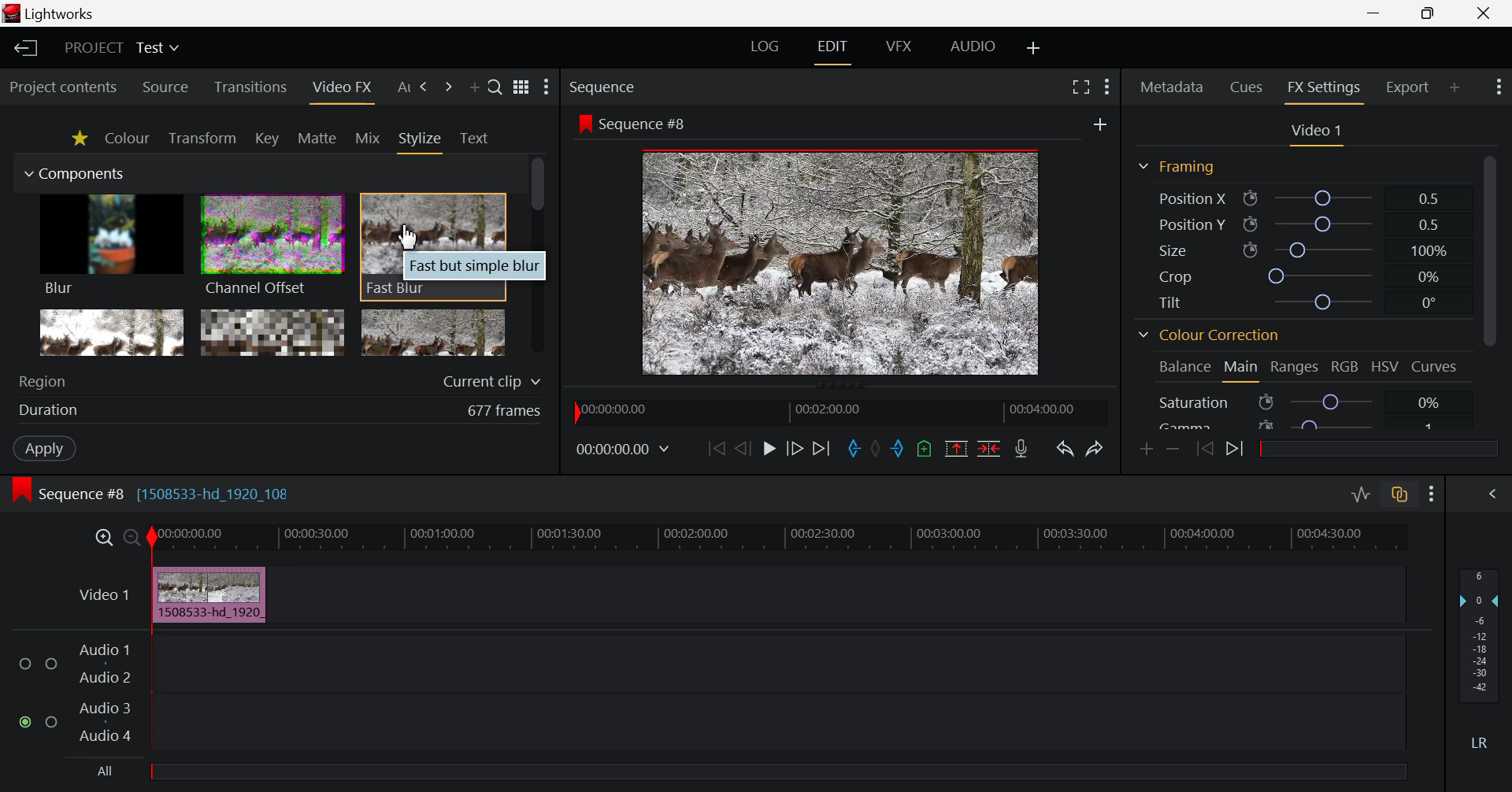  Describe the element at coordinates (925, 449) in the screenshot. I see `Mark Cue` at that location.